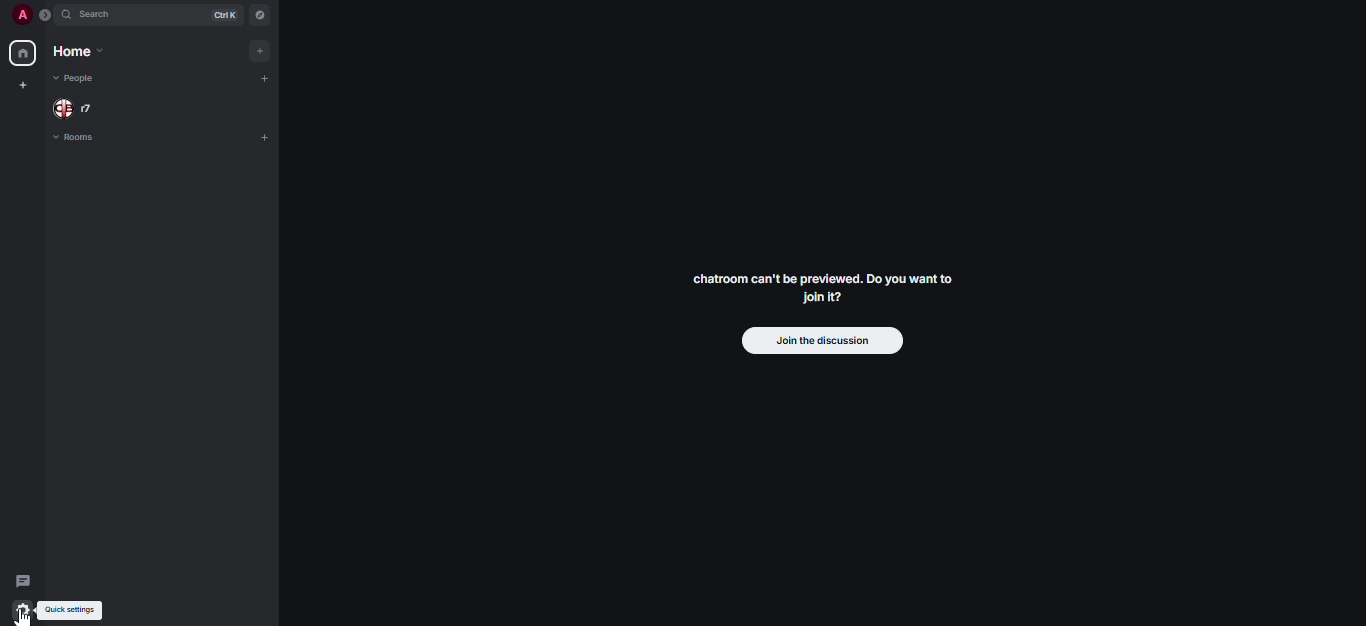 Image resolution: width=1366 pixels, height=626 pixels. Describe the element at coordinates (78, 51) in the screenshot. I see `home` at that location.